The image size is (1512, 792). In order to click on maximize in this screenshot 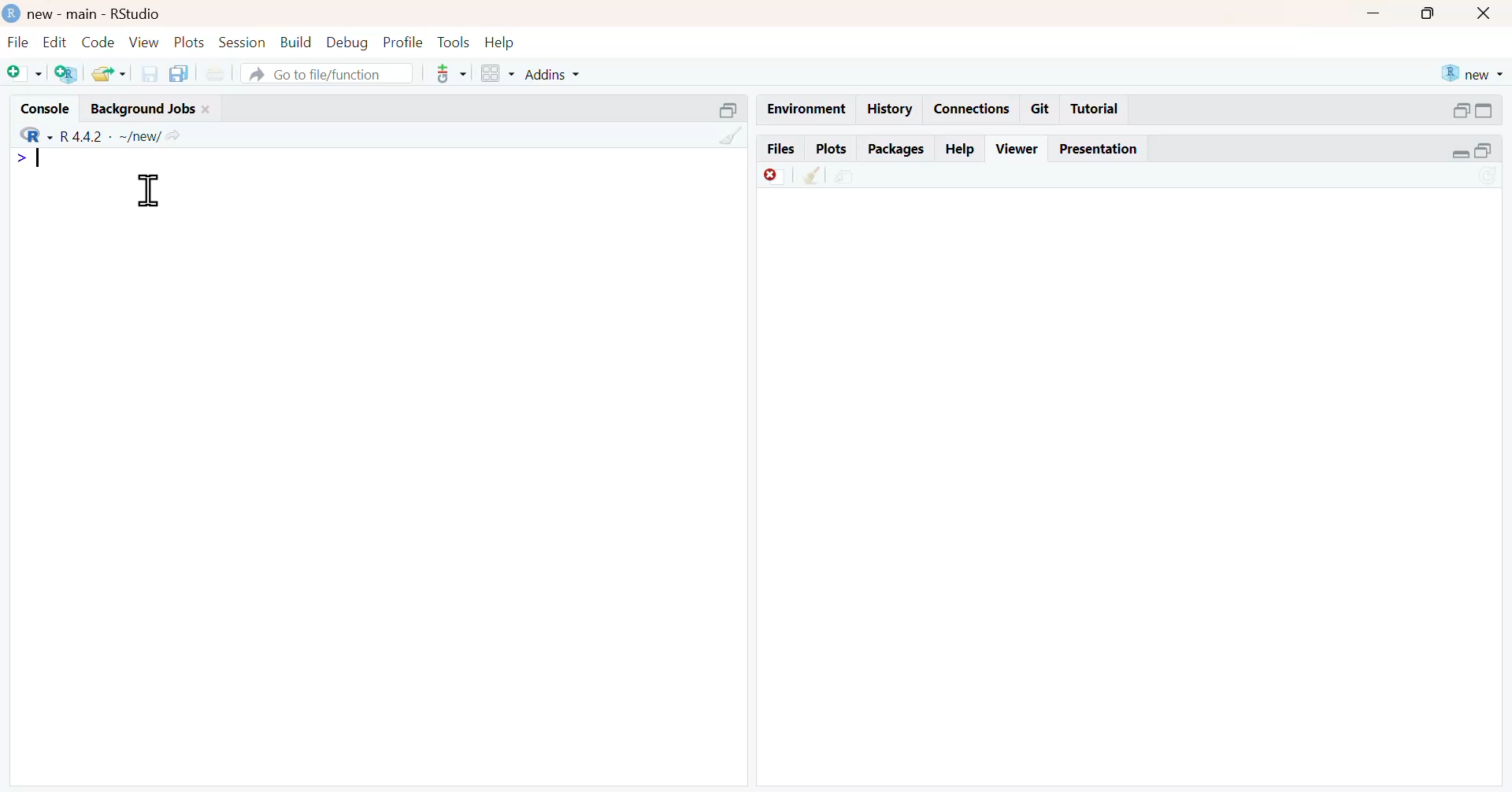, I will do `click(1494, 153)`.